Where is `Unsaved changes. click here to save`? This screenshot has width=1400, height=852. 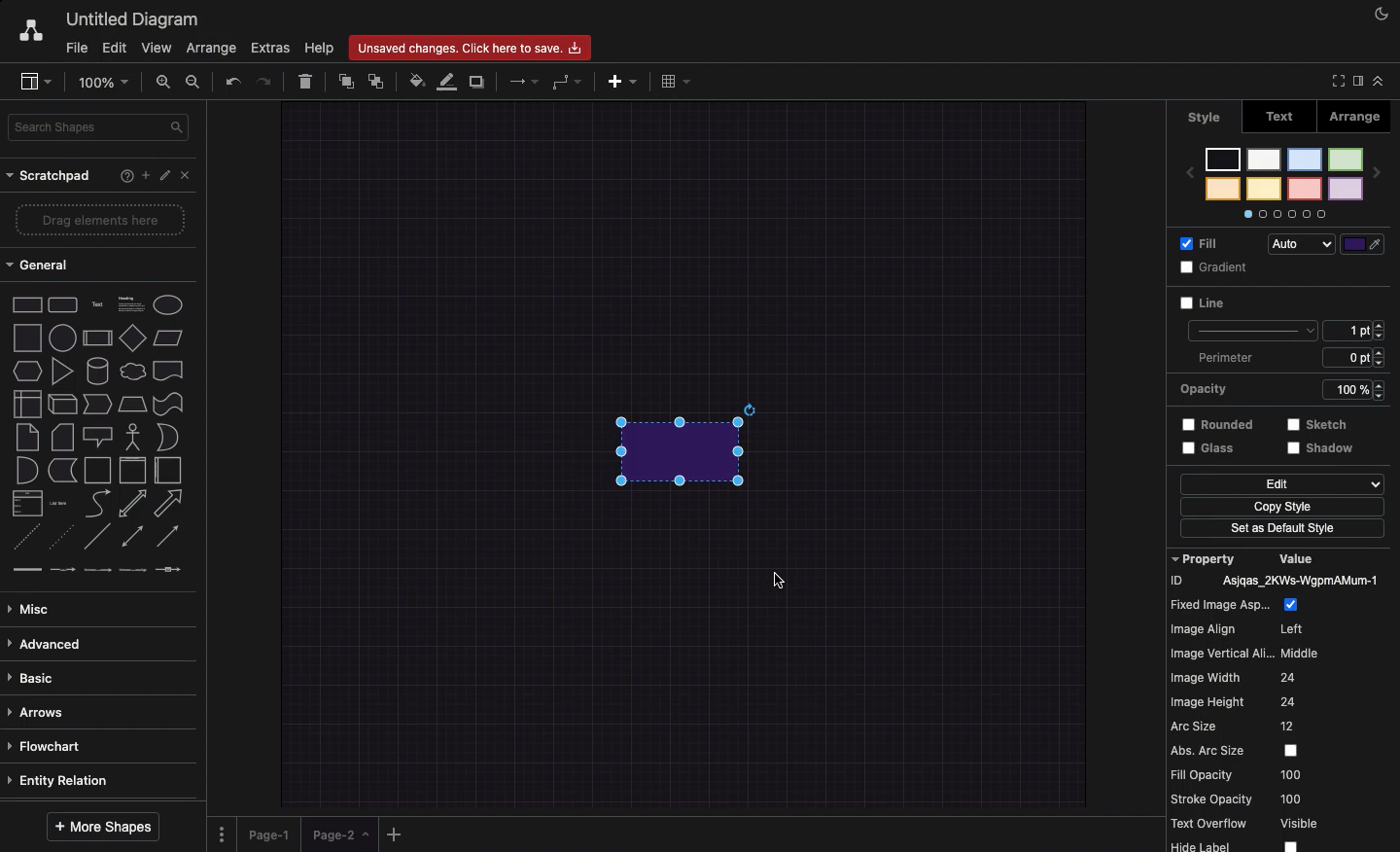 Unsaved changes. click here to save is located at coordinates (474, 47).